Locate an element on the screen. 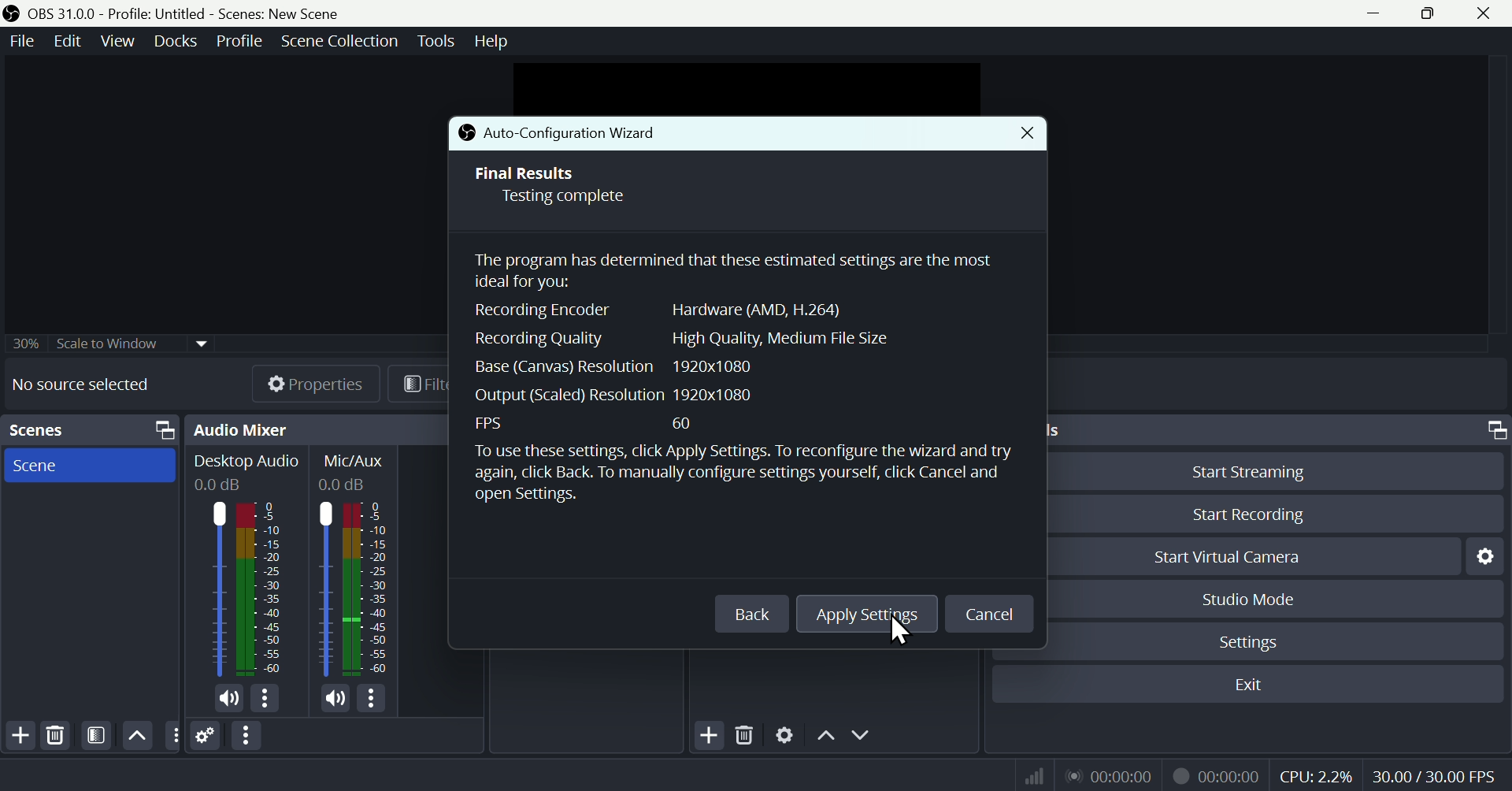 The width and height of the screenshot is (1512, 791). Start Streaming is located at coordinates (1275, 469).